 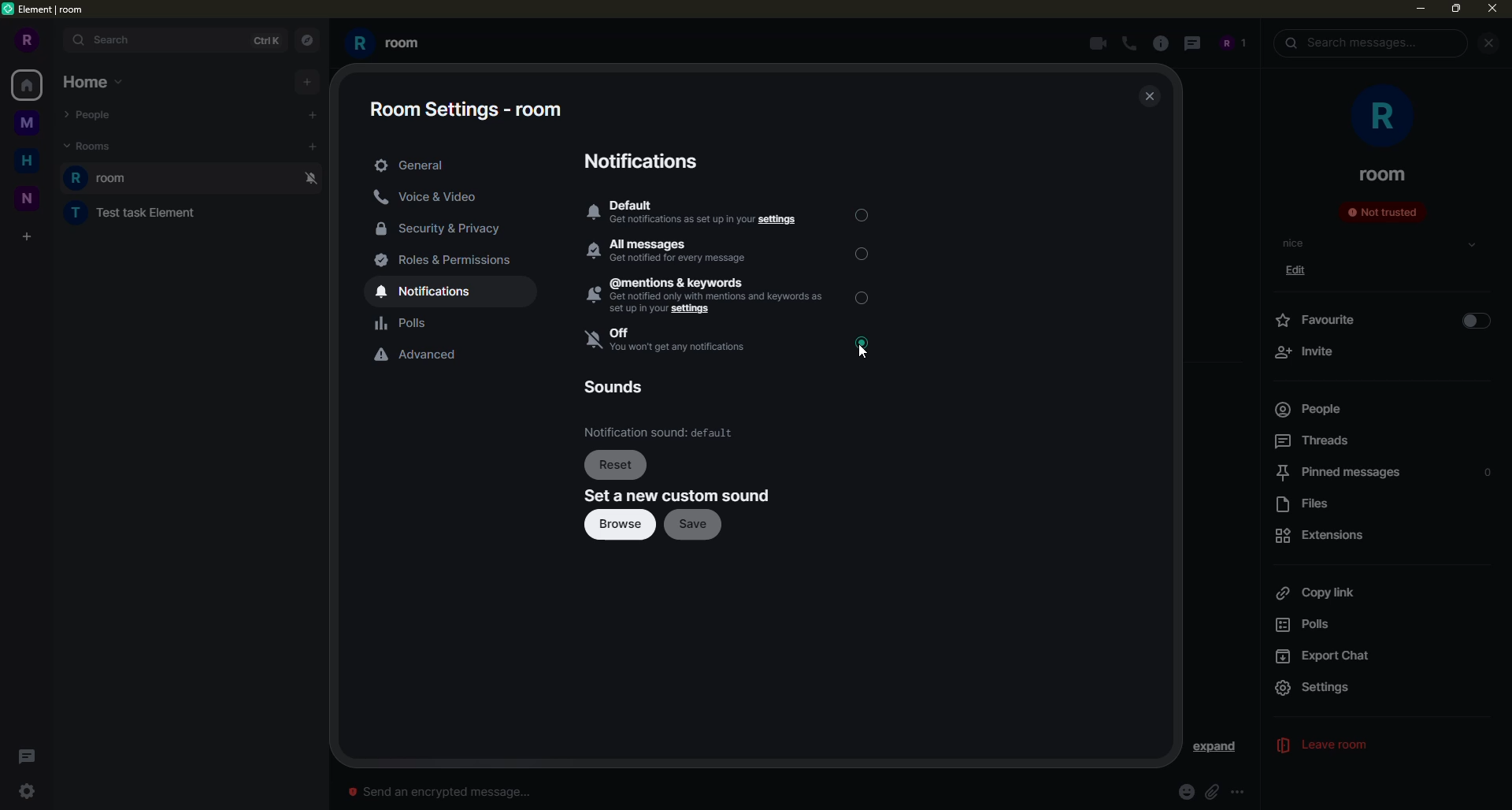 What do you see at coordinates (1240, 790) in the screenshot?
I see `options` at bounding box center [1240, 790].